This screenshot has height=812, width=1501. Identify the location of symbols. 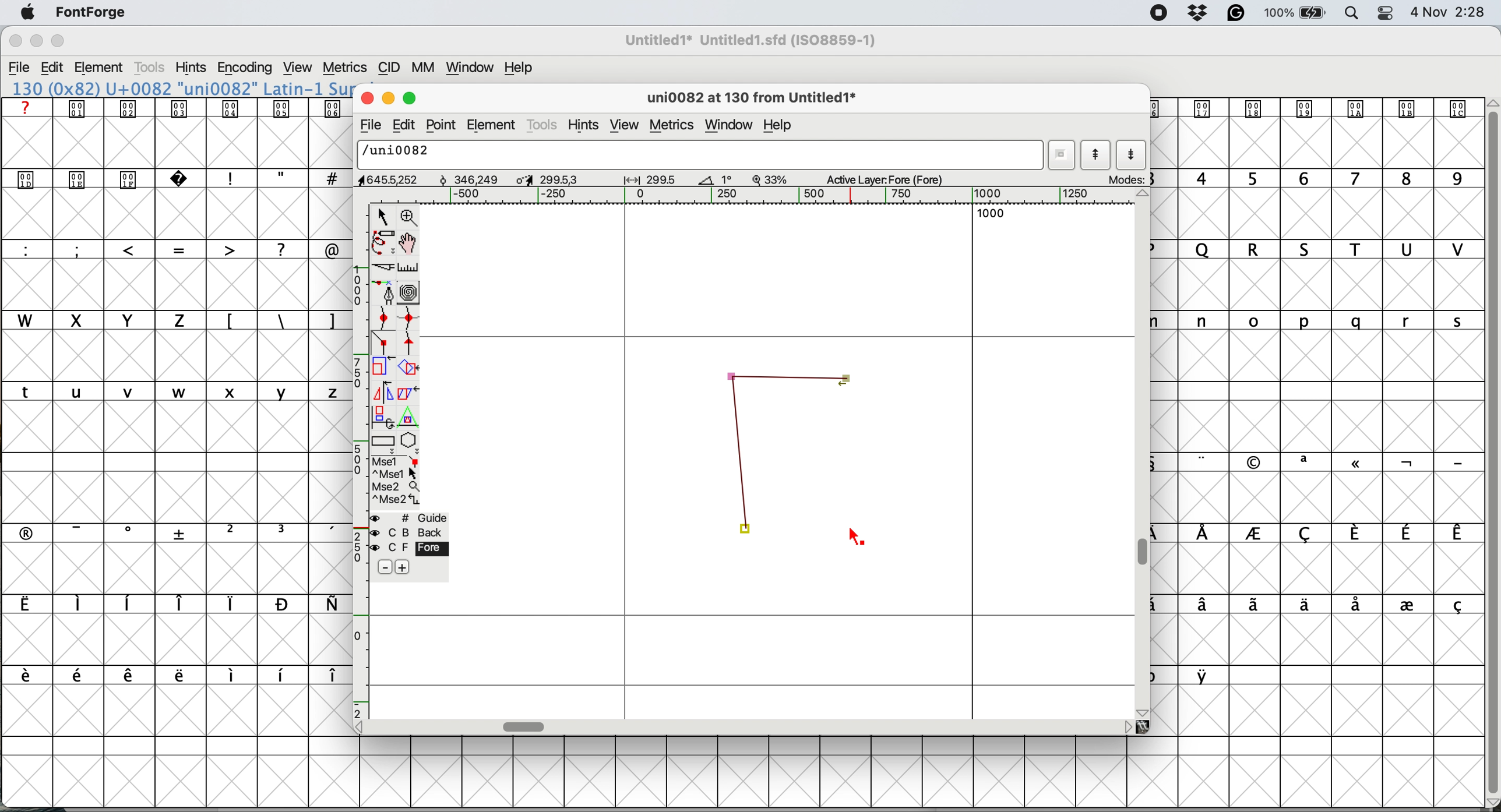
(185, 532).